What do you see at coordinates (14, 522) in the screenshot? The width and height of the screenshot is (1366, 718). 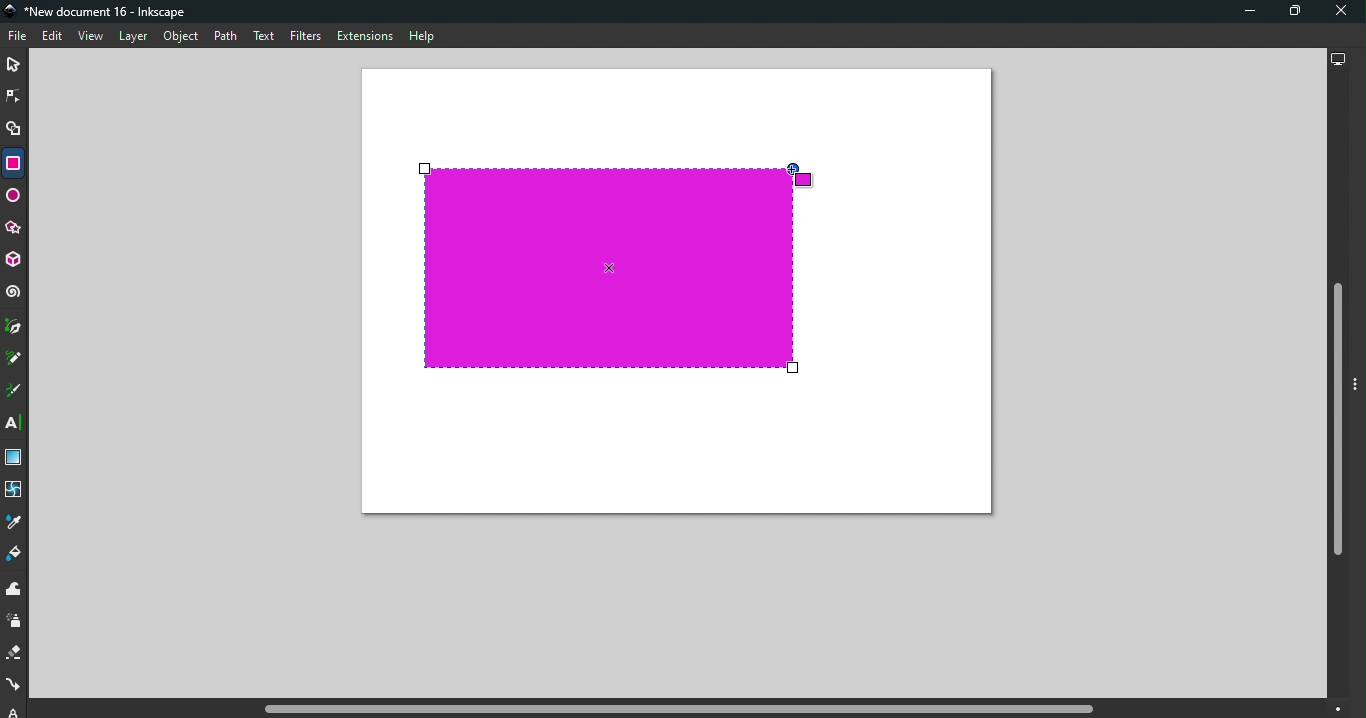 I see `Dropper tool` at bounding box center [14, 522].